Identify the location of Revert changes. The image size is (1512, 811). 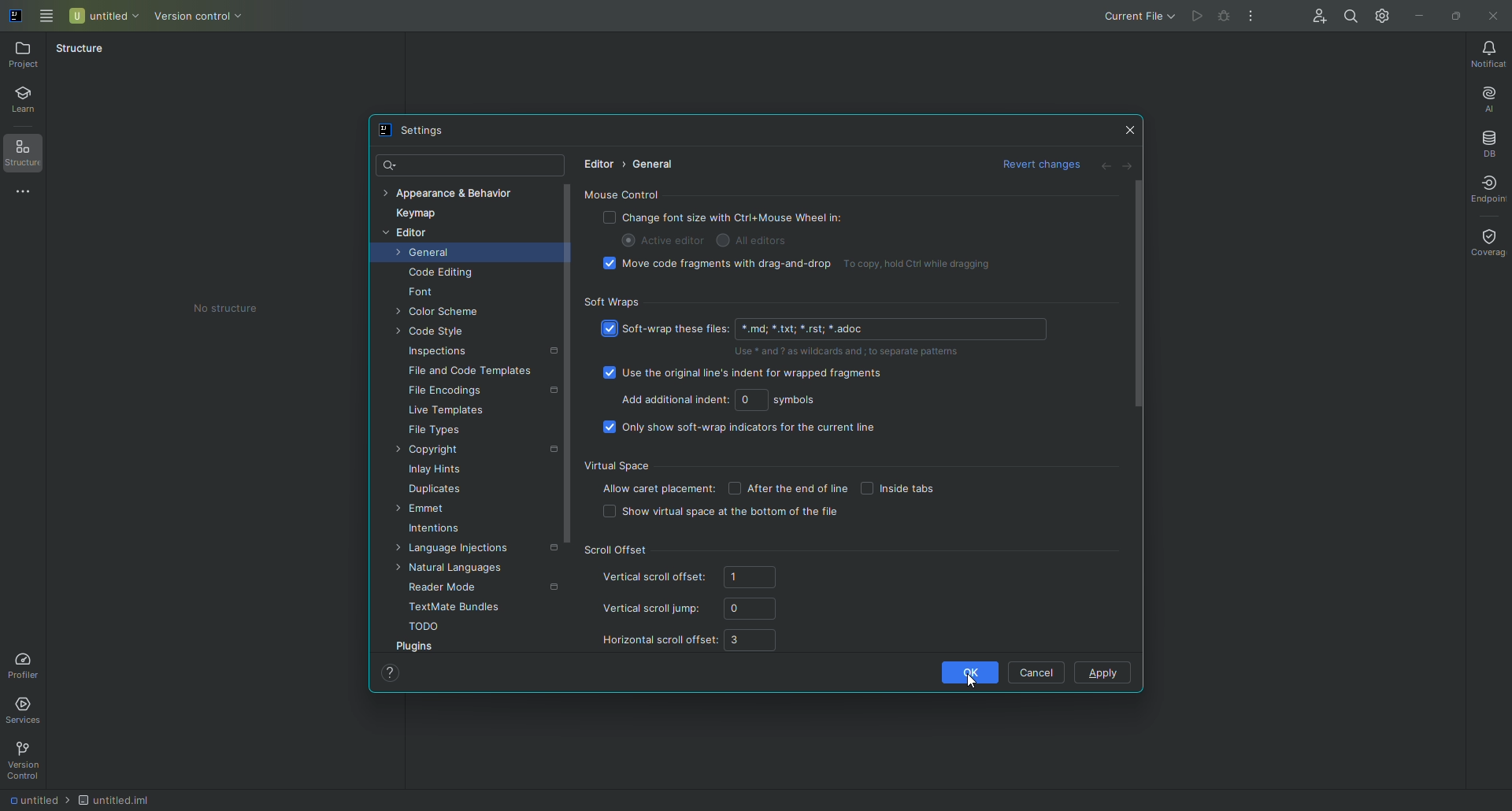
(1036, 165).